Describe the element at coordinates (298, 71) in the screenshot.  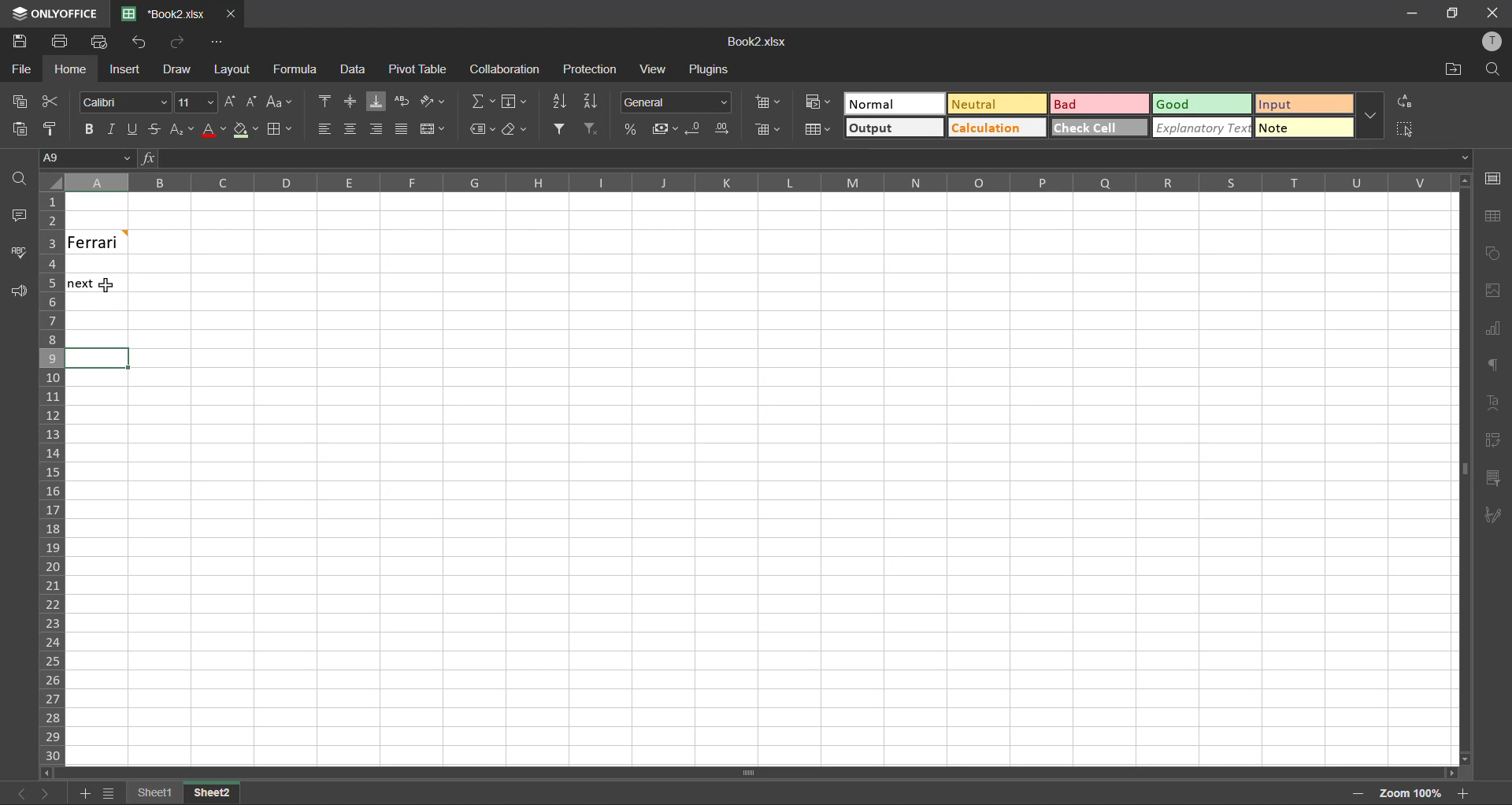
I see `formula` at that location.